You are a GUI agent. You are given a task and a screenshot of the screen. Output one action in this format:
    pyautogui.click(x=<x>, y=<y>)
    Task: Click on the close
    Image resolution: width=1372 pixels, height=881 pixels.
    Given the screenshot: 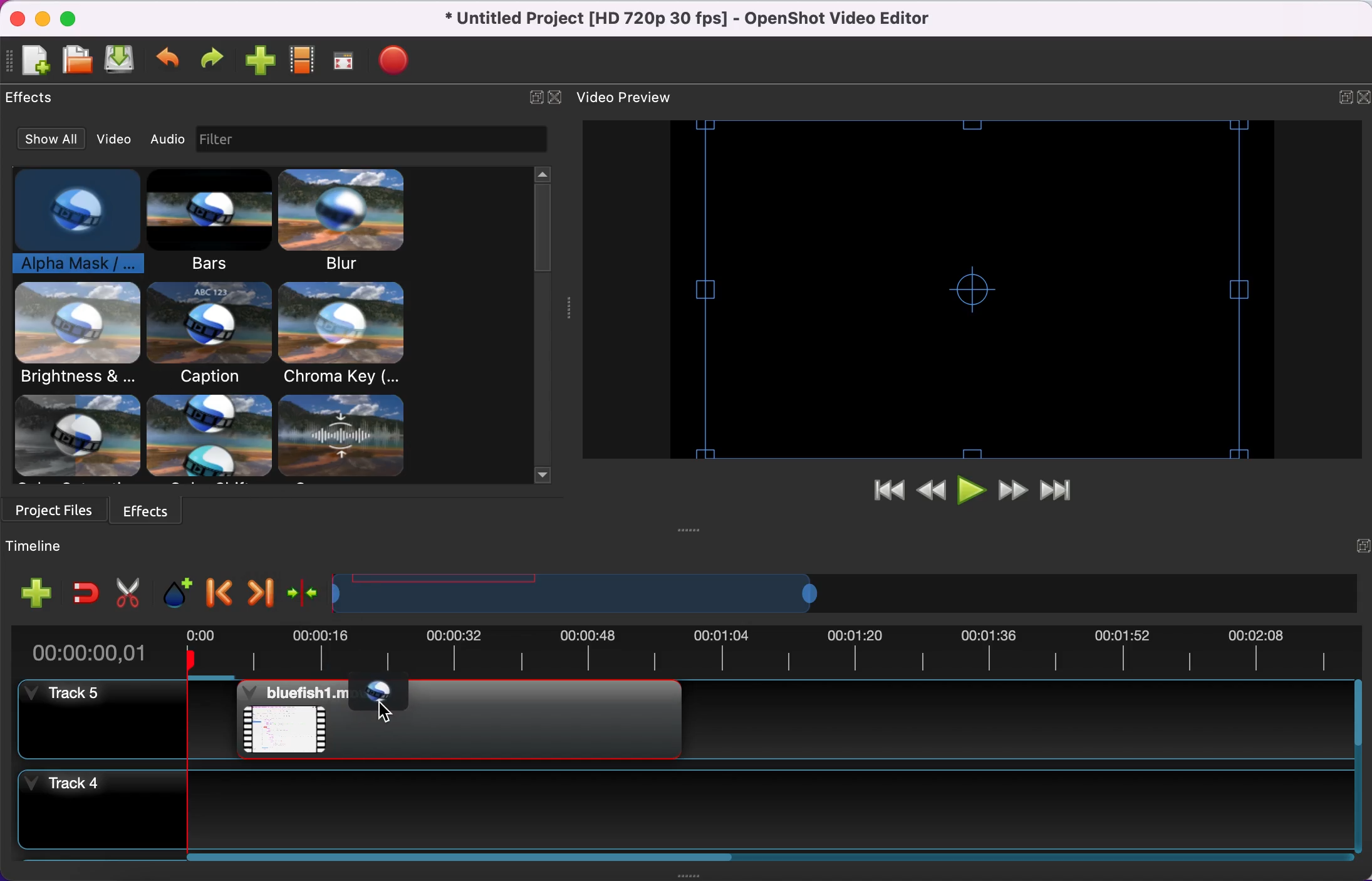 What is the action you would take?
    pyautogui.click(x=556, y=100)
    